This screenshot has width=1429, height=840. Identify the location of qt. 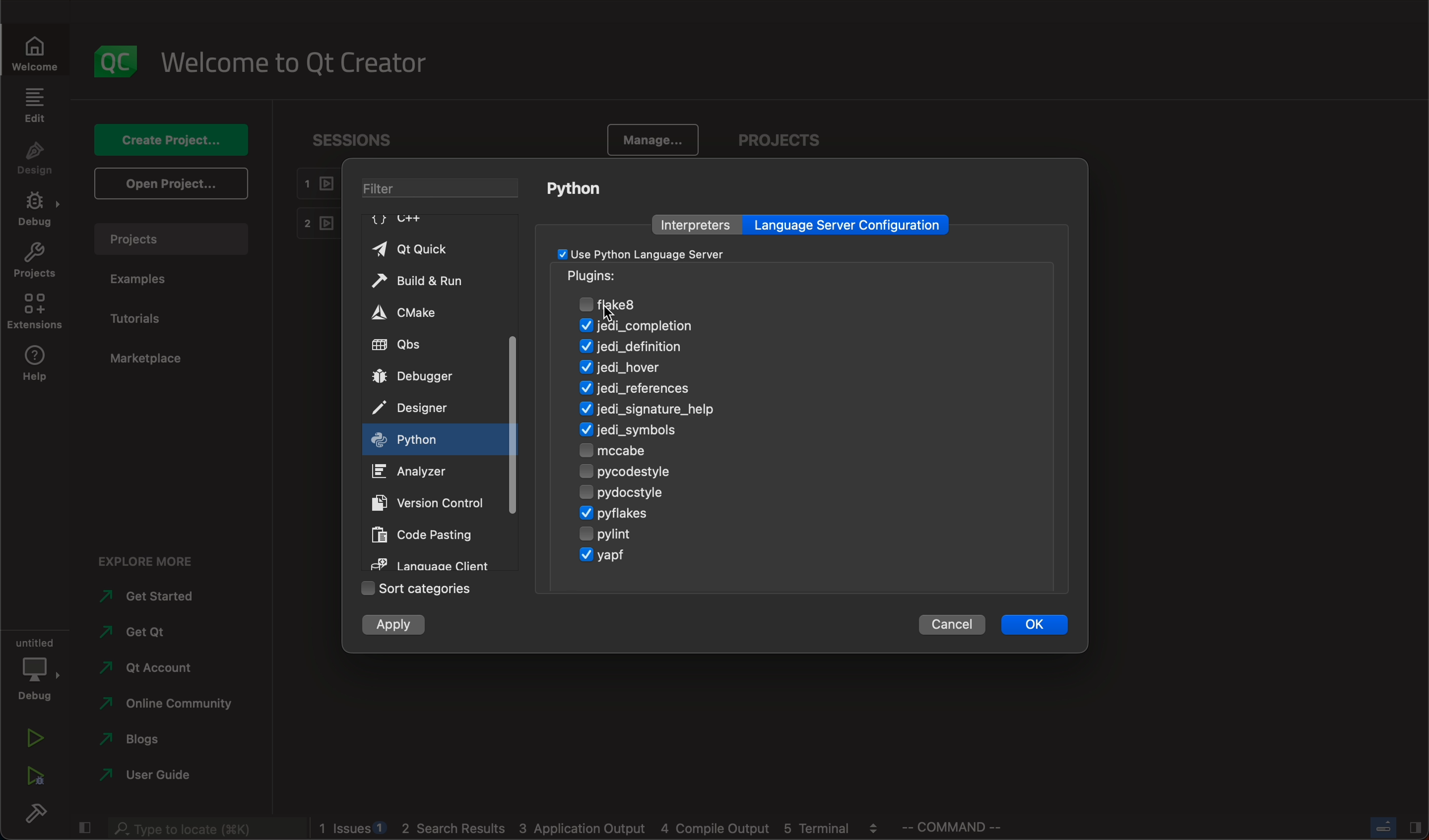
(145, 630).